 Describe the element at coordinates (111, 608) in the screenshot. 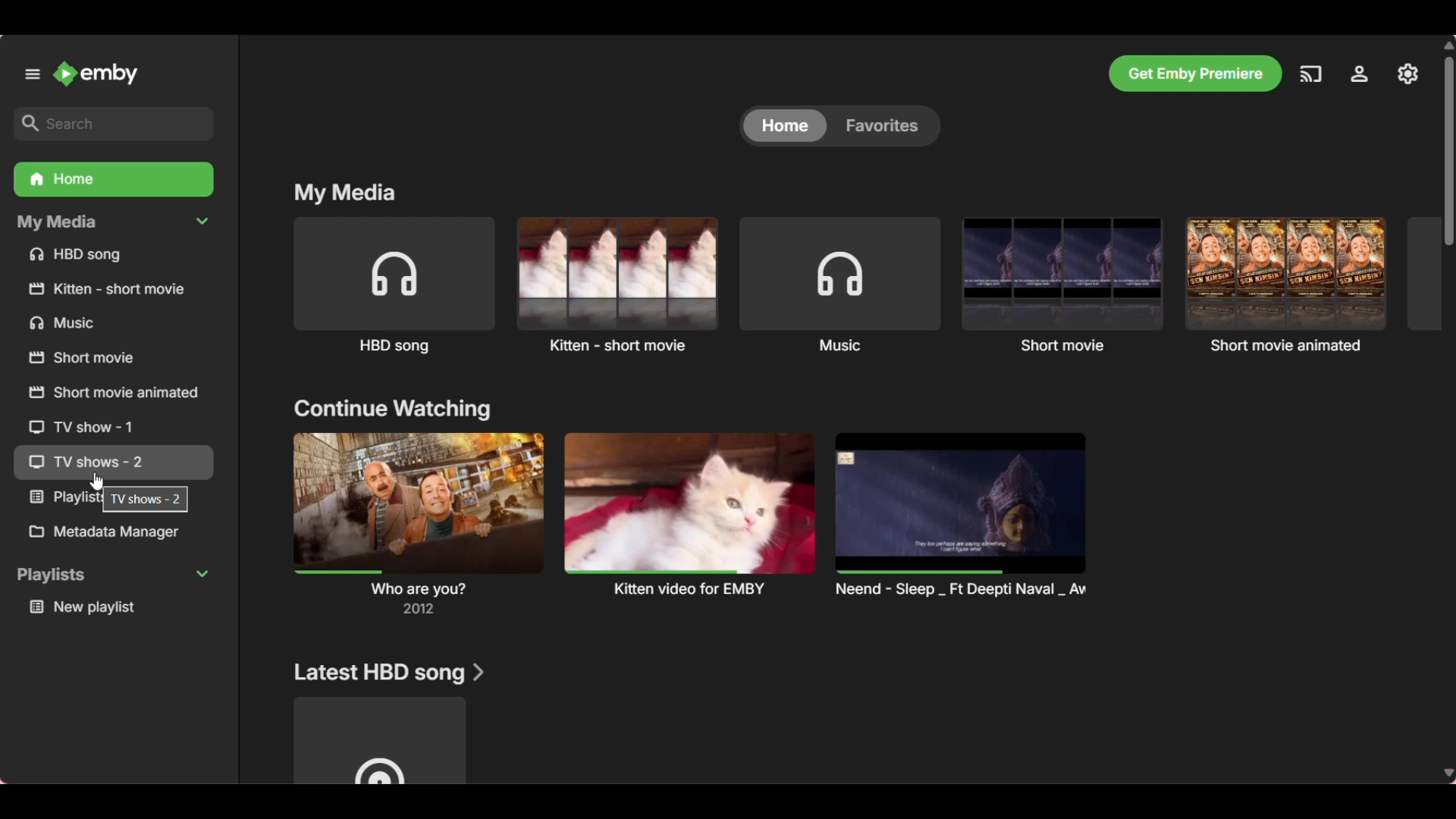

I see `Media under Playlists` at that location.